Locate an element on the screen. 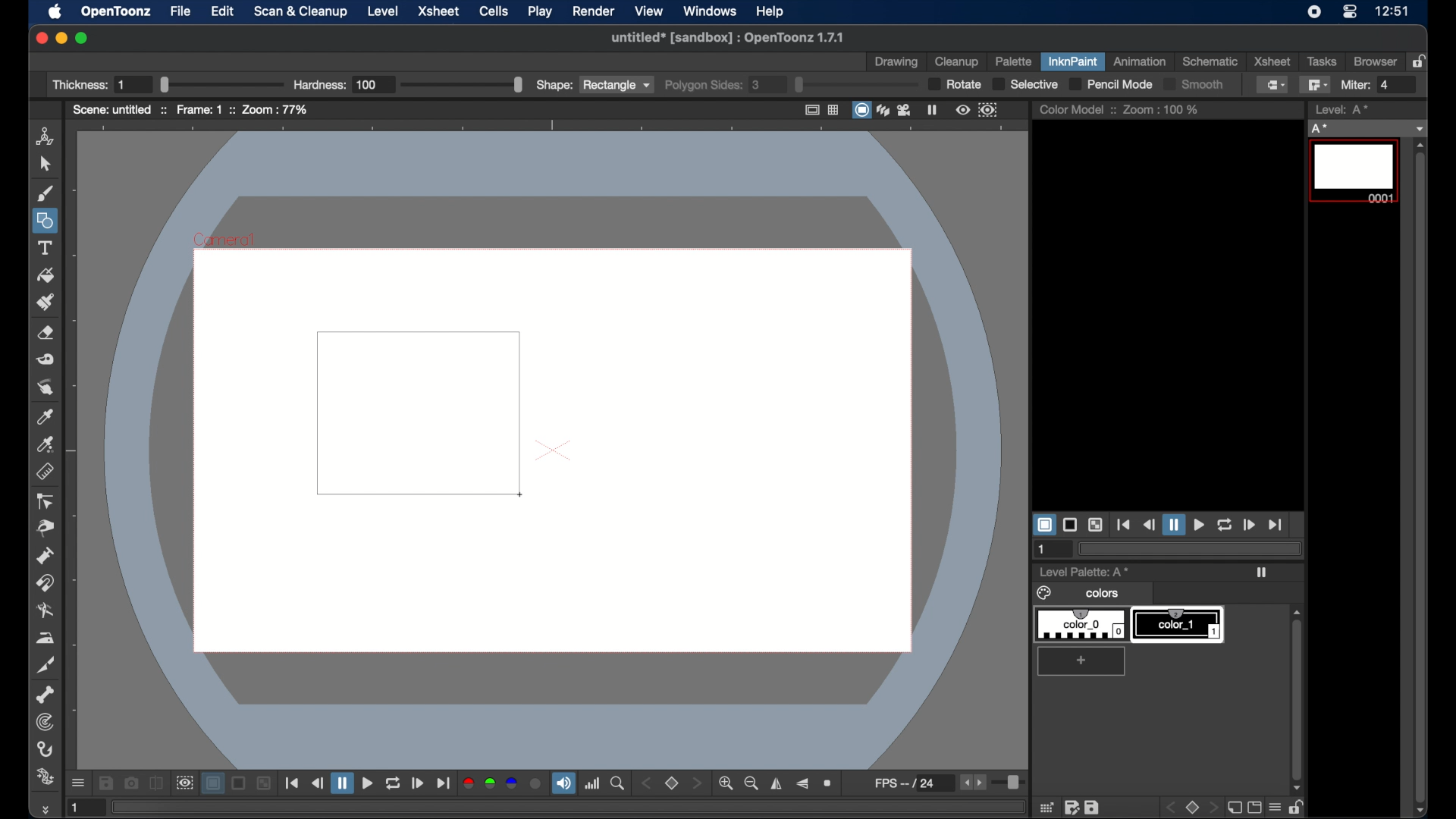 Image resolution: width=1456 pixels, height=819 pixels. view is located at coordinates (650, 11).